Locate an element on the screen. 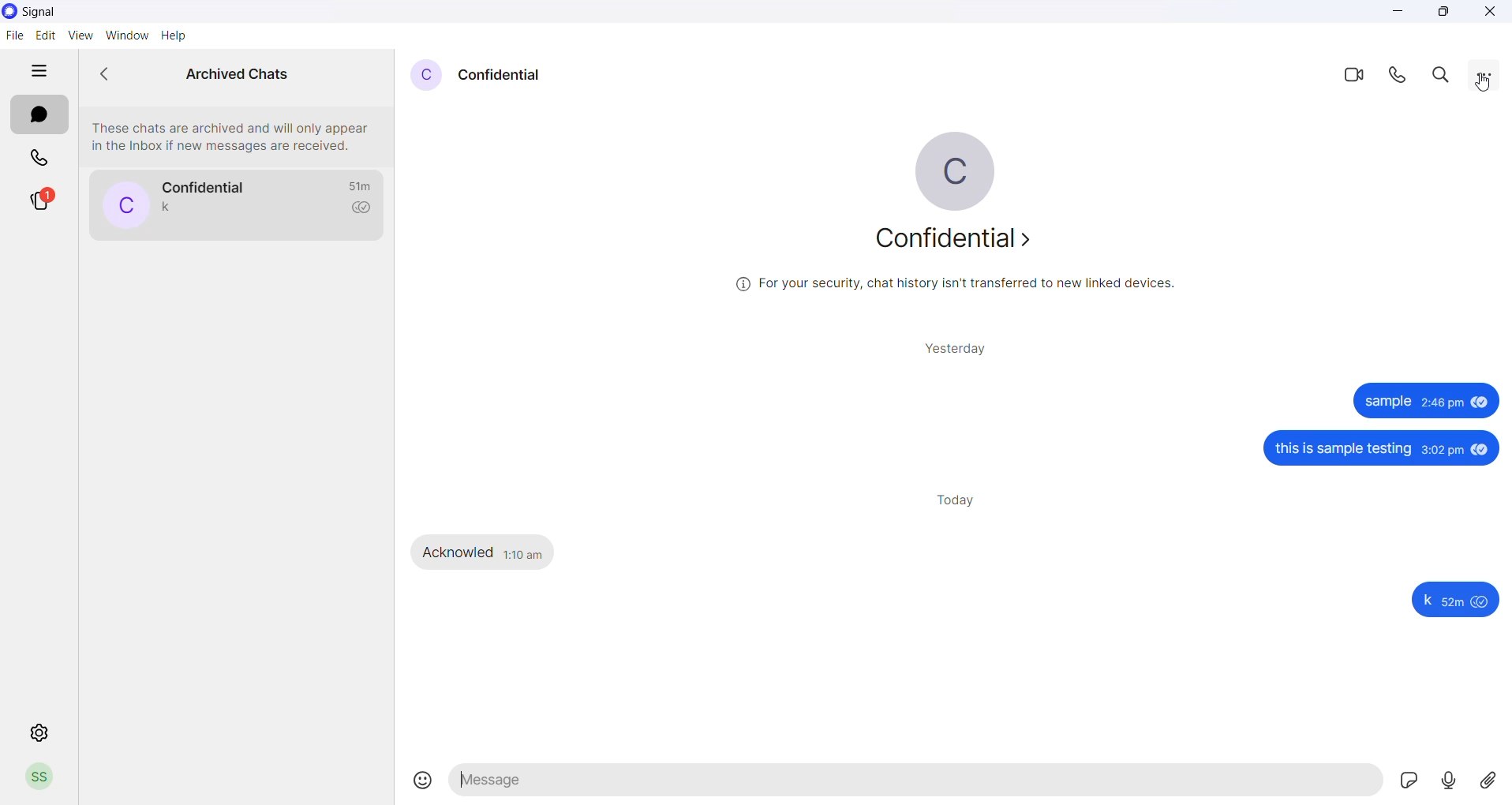  message text area is located at coordinates (915, 781).